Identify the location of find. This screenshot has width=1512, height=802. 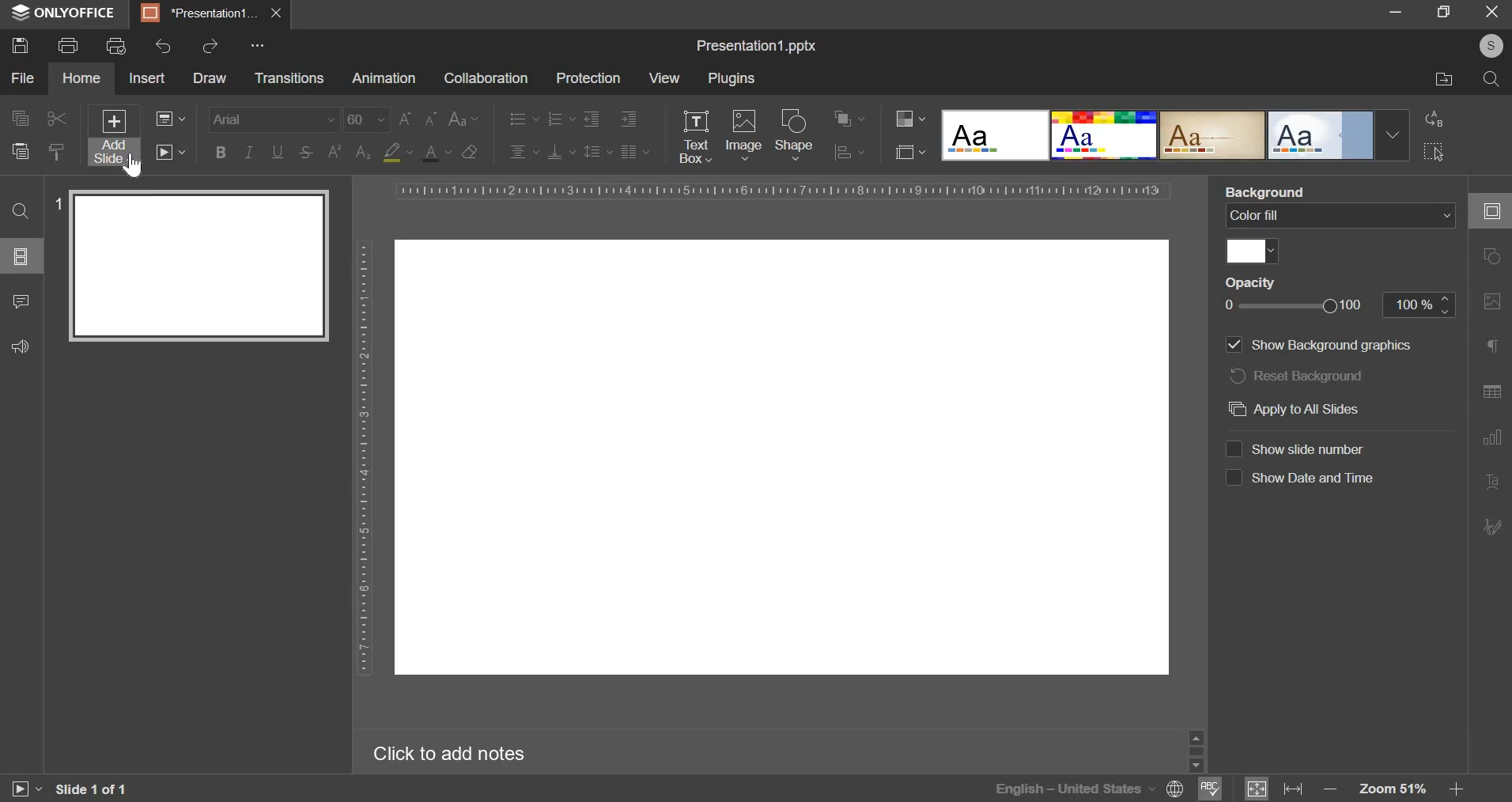
(20, 210).